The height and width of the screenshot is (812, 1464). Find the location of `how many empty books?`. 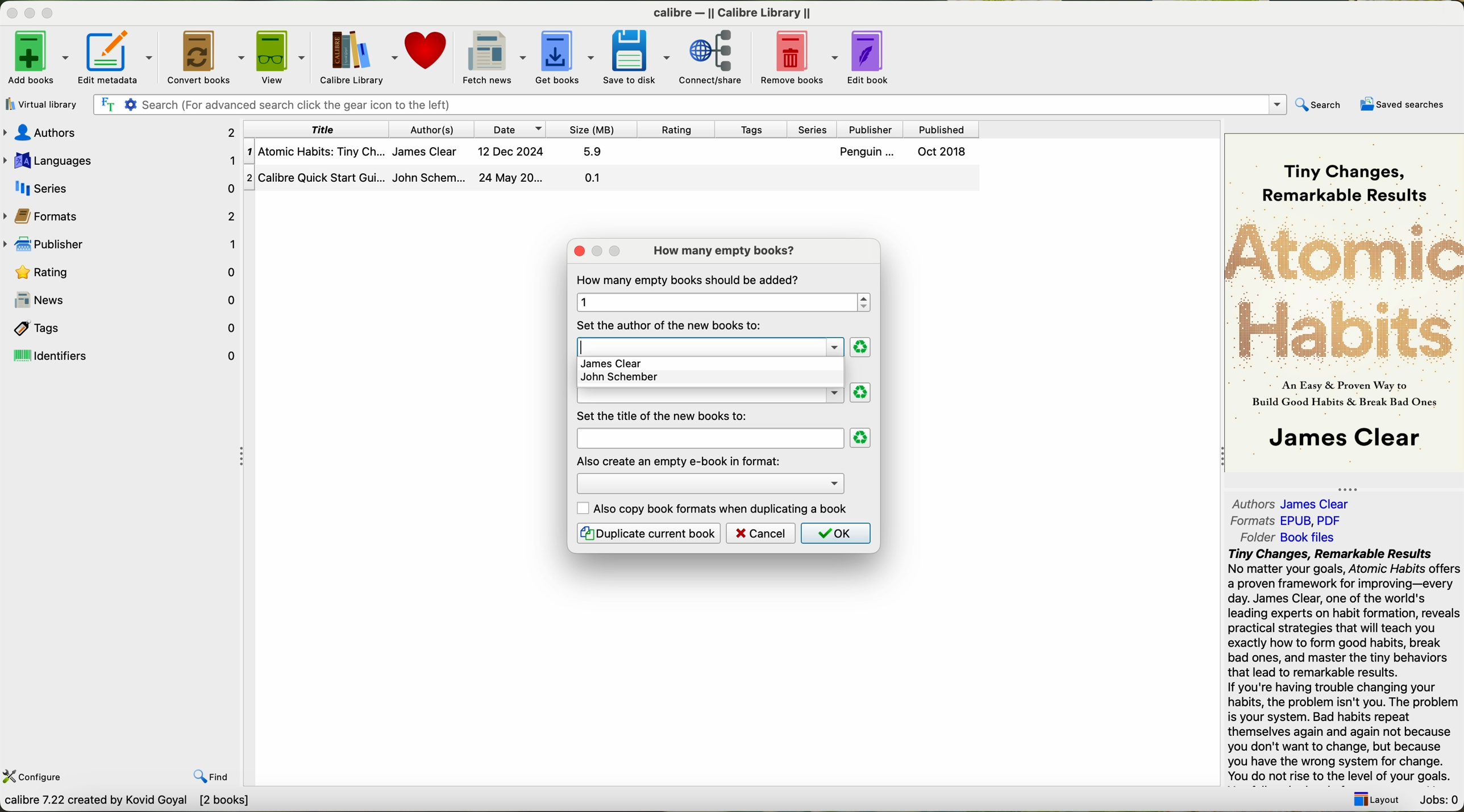

how many empty books? is located at coordinates (727, 251).